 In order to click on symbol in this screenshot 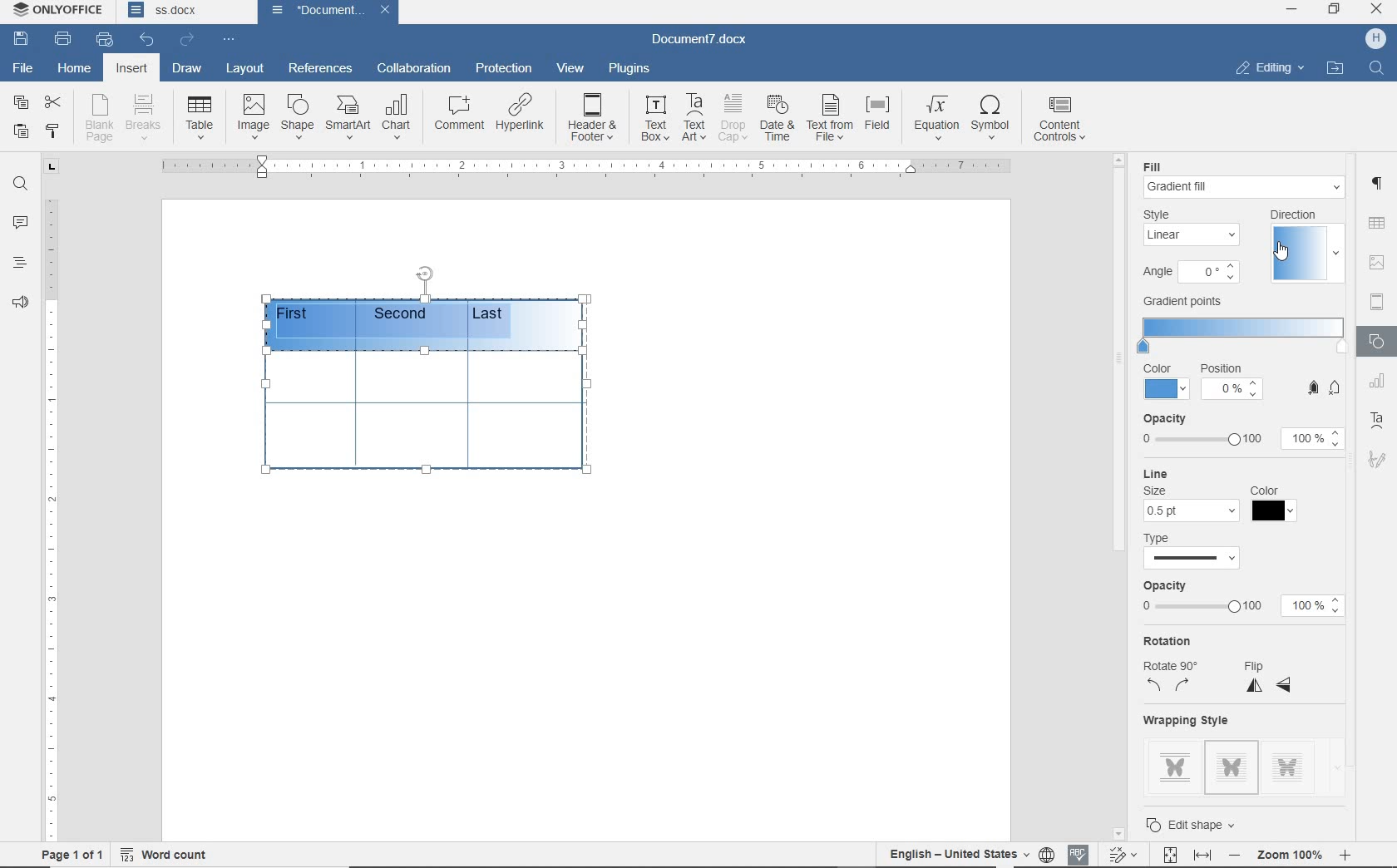, I will do `click(994, 116)`.